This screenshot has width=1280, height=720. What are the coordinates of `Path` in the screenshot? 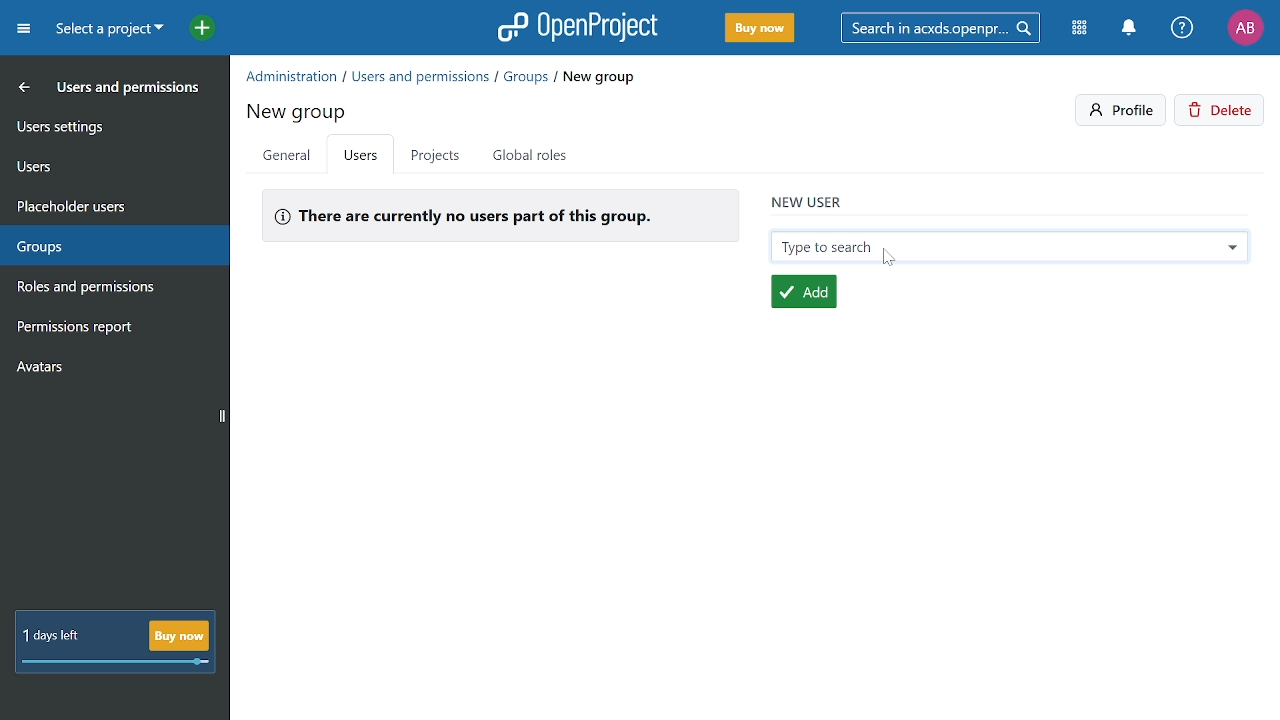 It's located at (442, 75).